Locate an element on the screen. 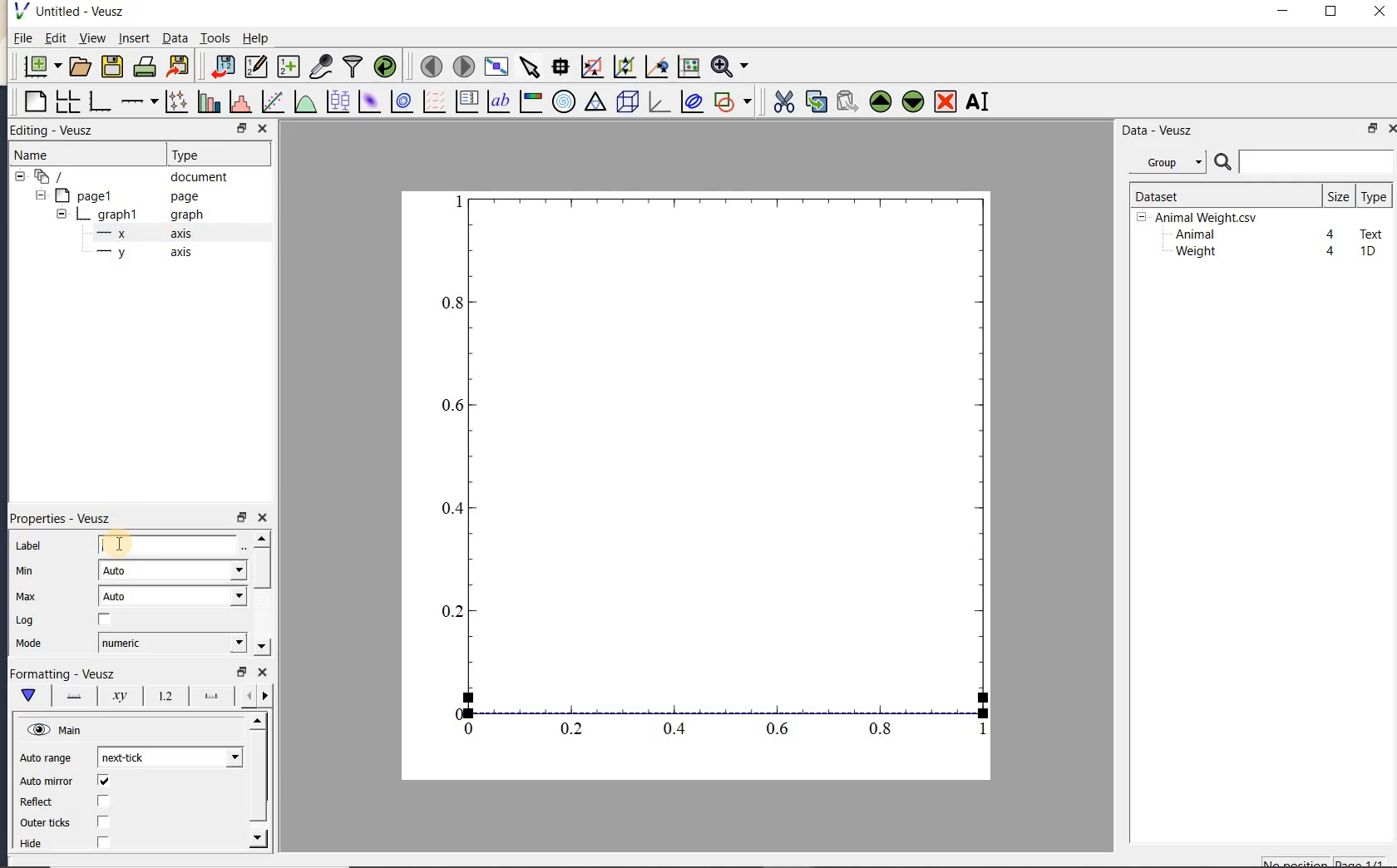 This screenshot has width=1397, height=868. axis is located at coordinates (140, 234).